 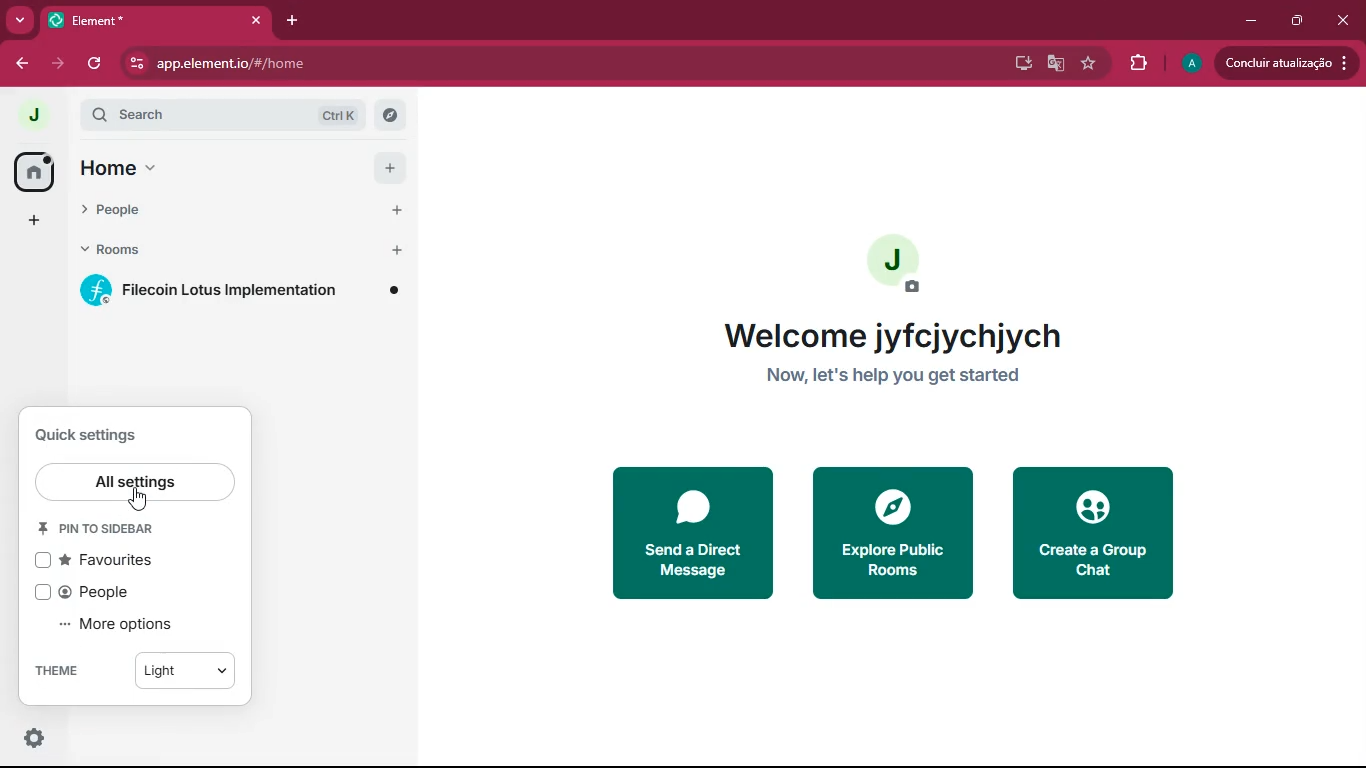 What do you see at coordinates (55, 671) in the screenshot?
I see `theme` at bounding box center [55, 671].